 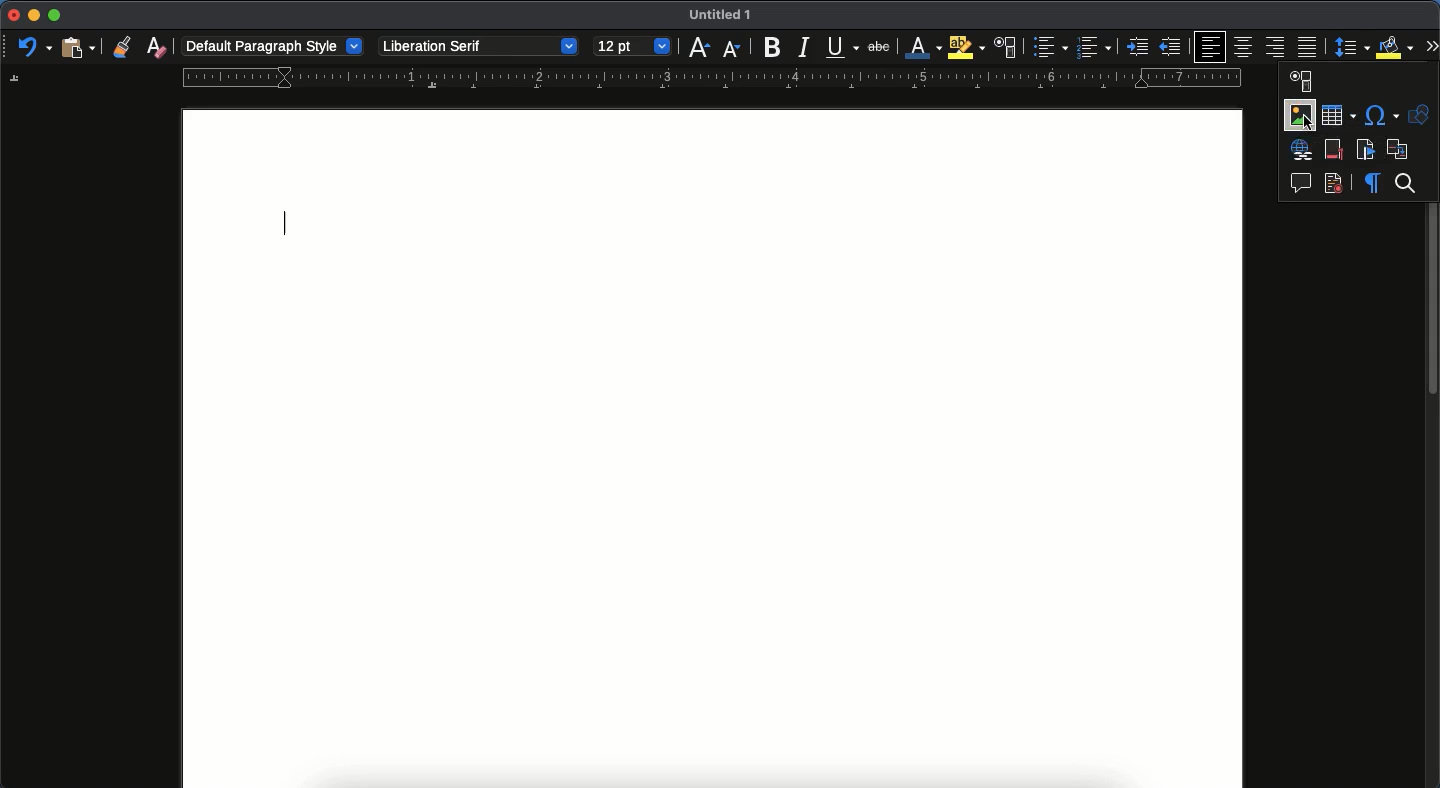 What do you see at coordinates (1309, 47) in the screenshot?
I see `justify` at bounding box center [1309, 47].